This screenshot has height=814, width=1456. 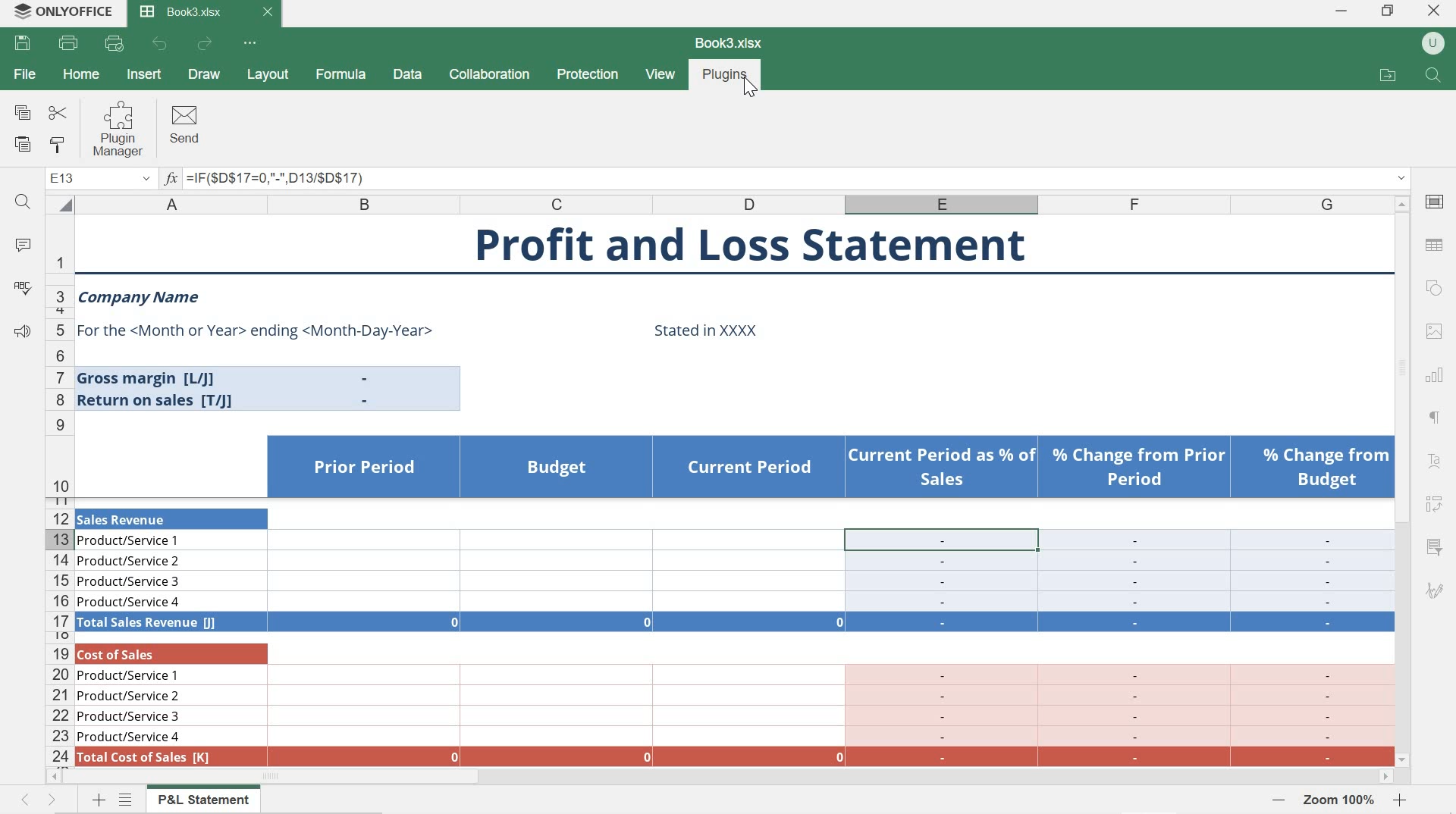 I want to click on find, so click(x=1432, y=73).